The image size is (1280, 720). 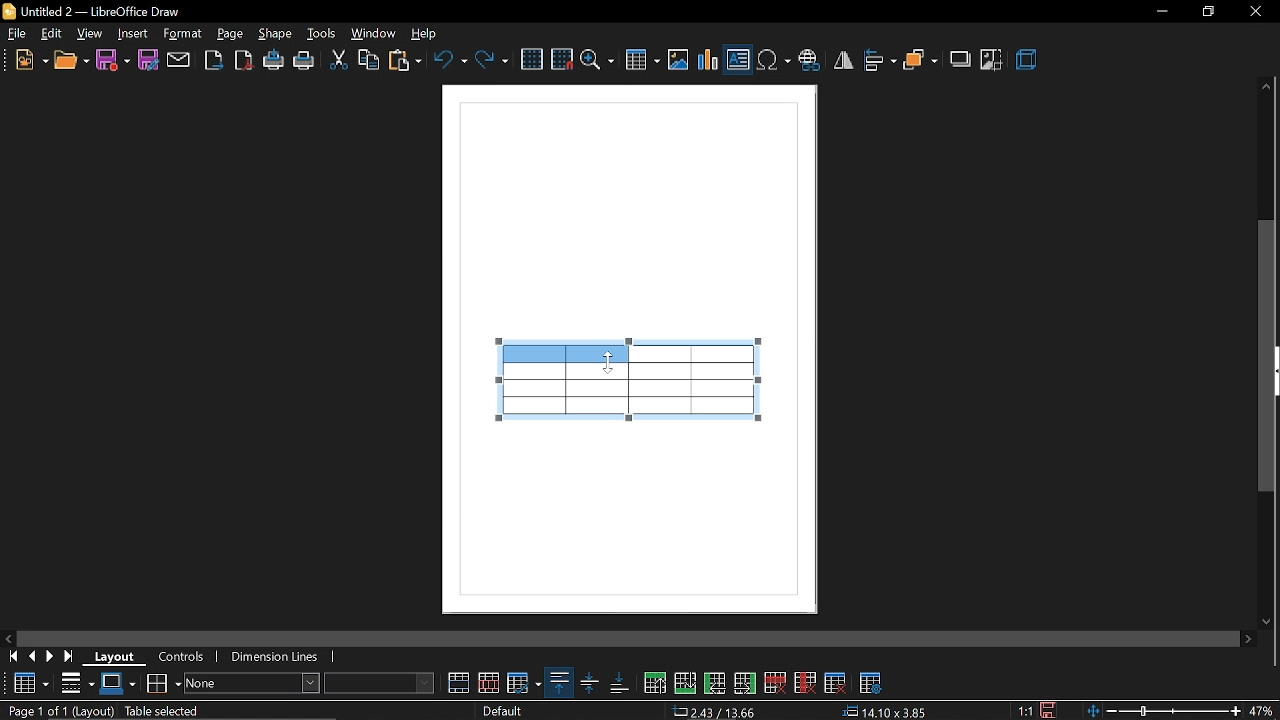 I want to click on insert table, so click(x=642, y=59).